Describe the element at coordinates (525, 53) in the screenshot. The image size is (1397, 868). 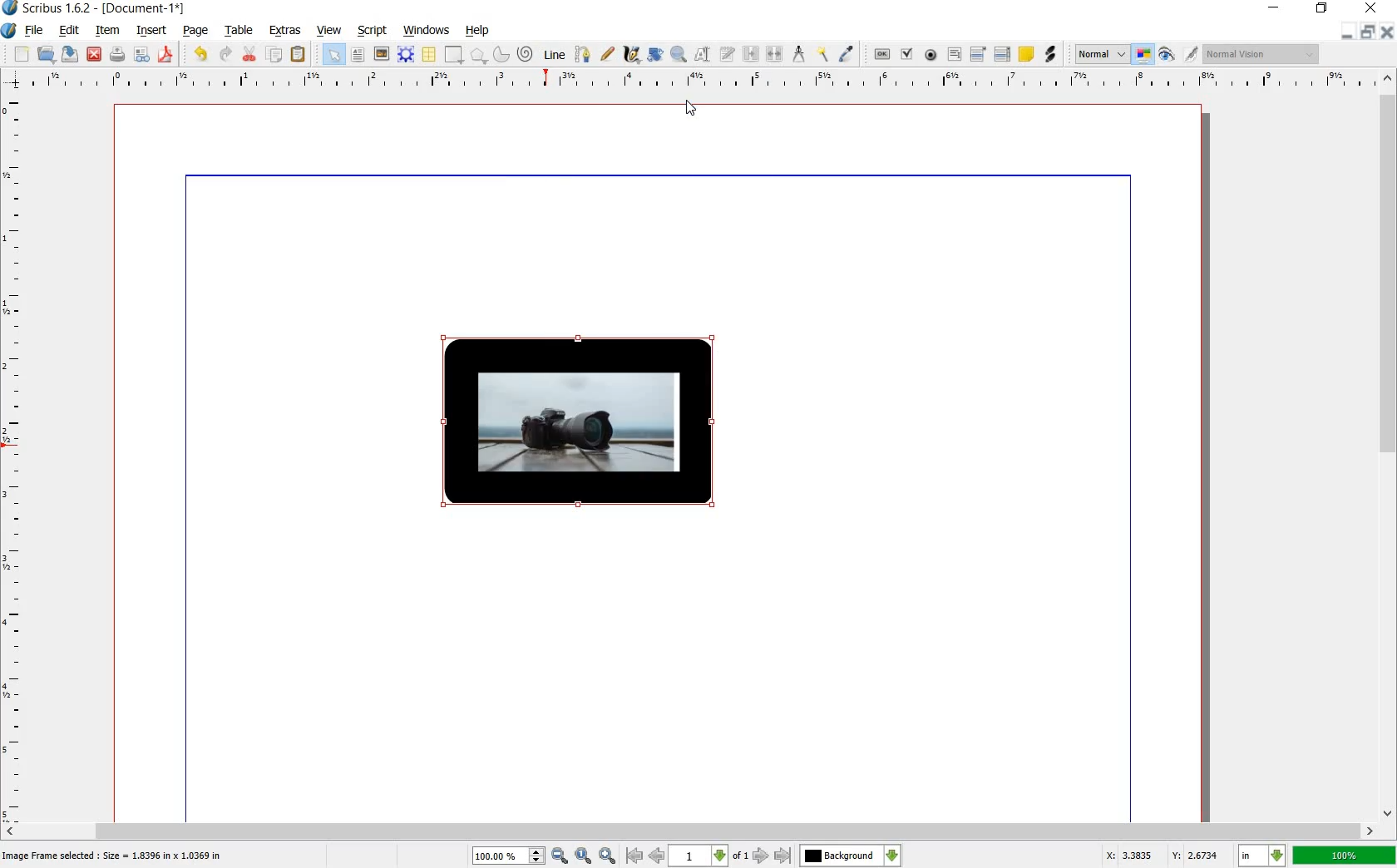
I see `spiral` at that location.